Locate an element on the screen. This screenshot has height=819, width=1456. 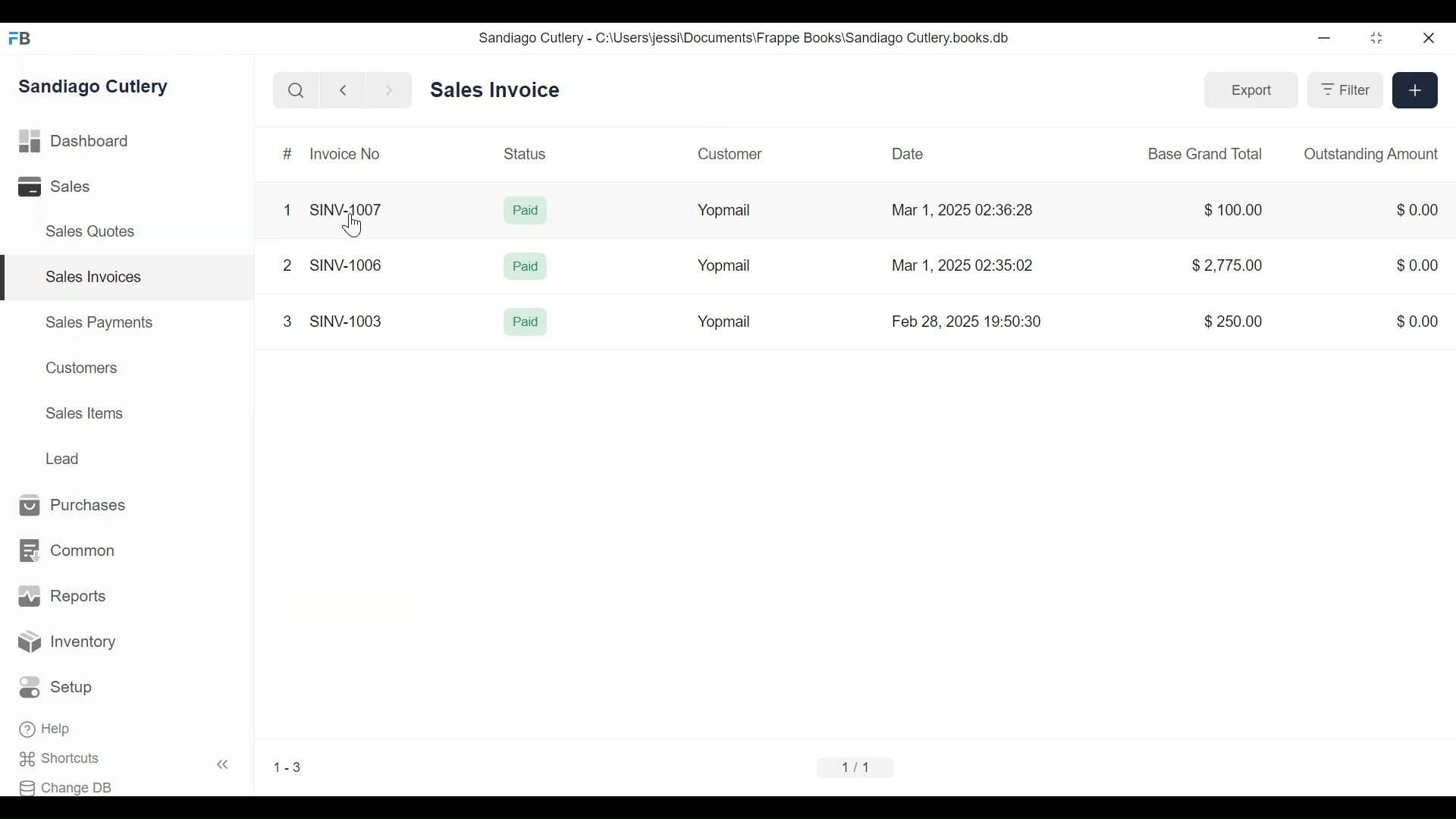
Setup is located at coordinates (56, 687).